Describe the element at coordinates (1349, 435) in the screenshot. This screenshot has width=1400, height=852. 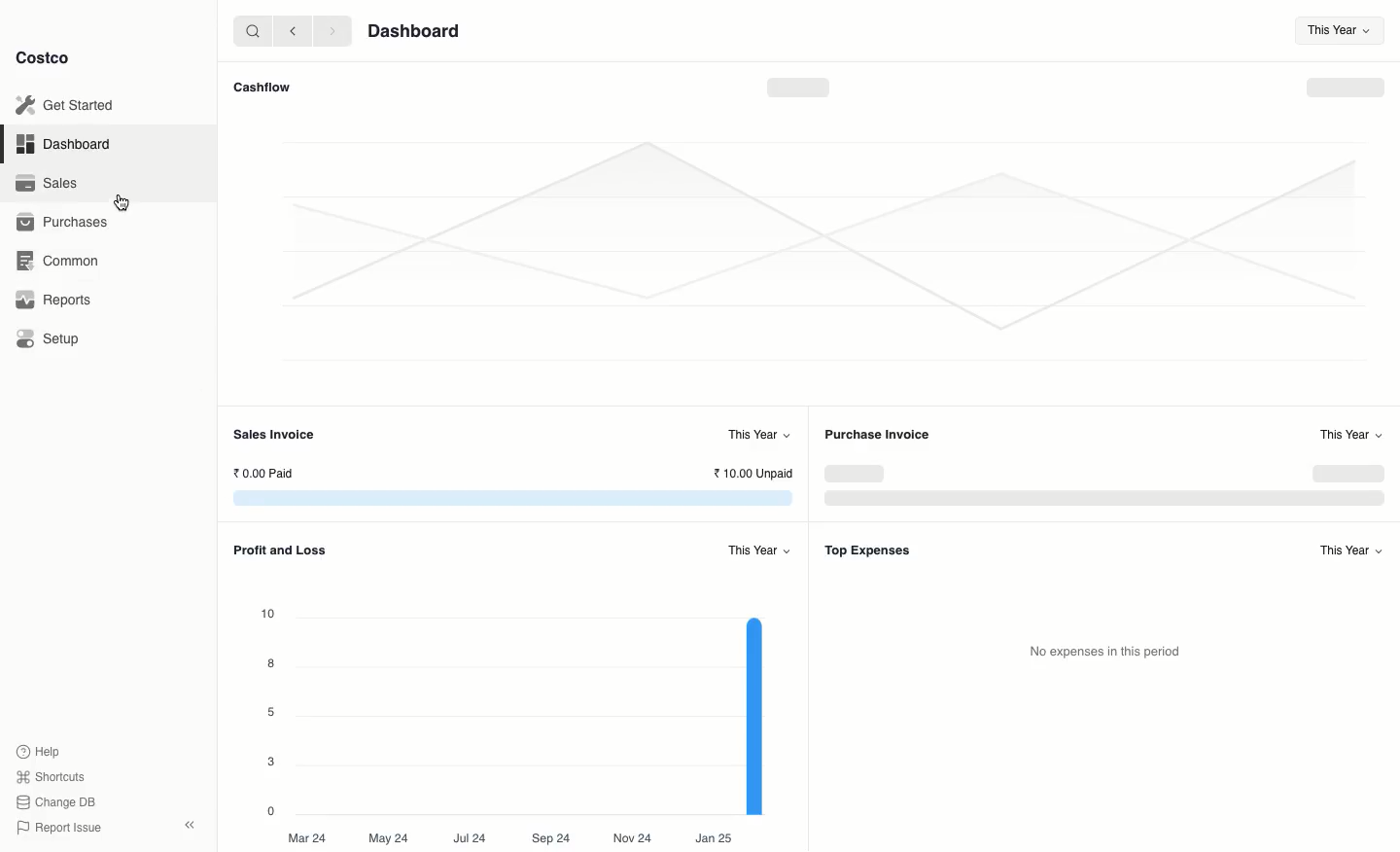
I see `This Year` at that location.